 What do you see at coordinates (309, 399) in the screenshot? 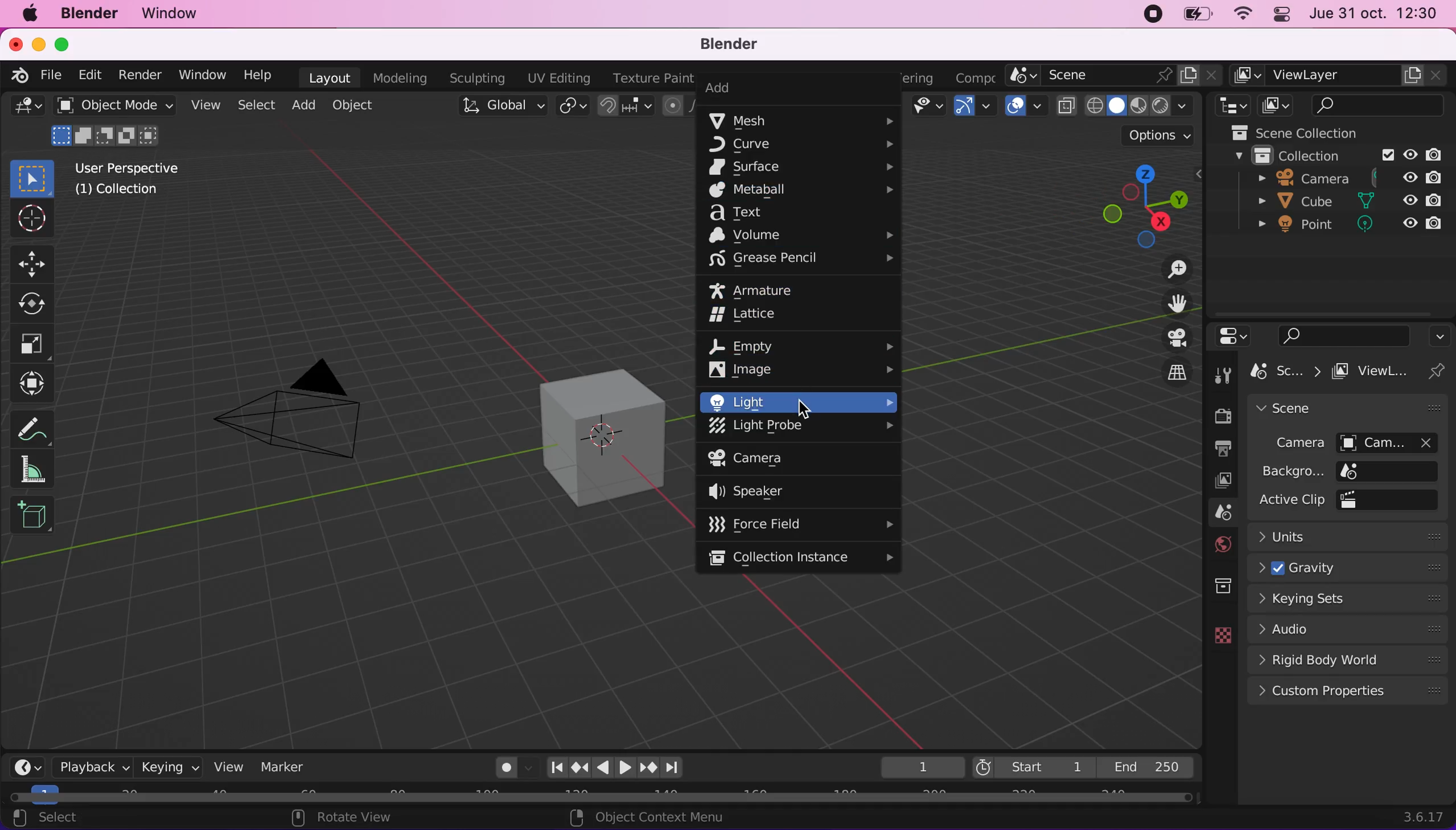
I see `camera` at bounding box center [309, 399].